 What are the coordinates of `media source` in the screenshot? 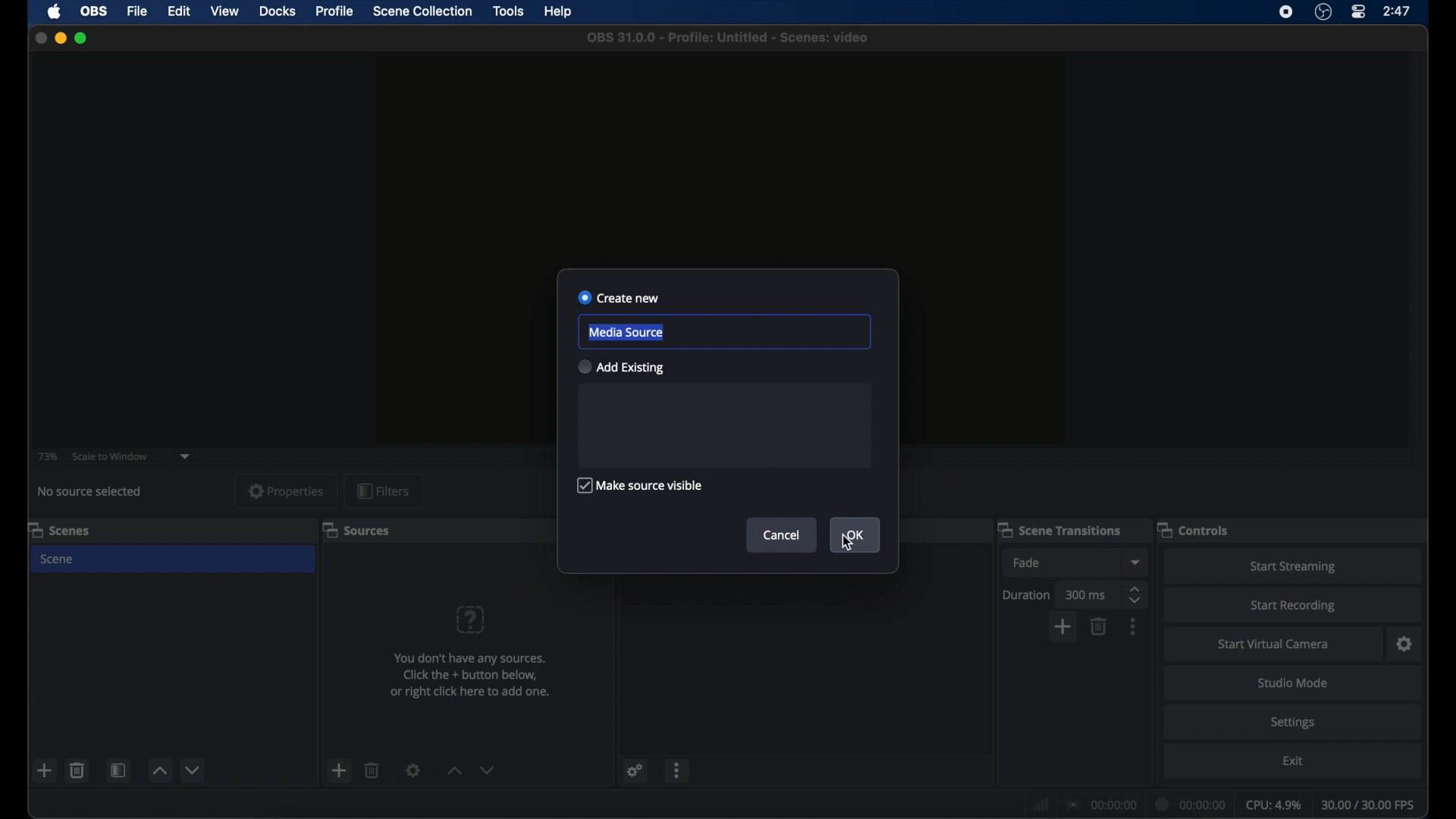 It's located at (626, 332).